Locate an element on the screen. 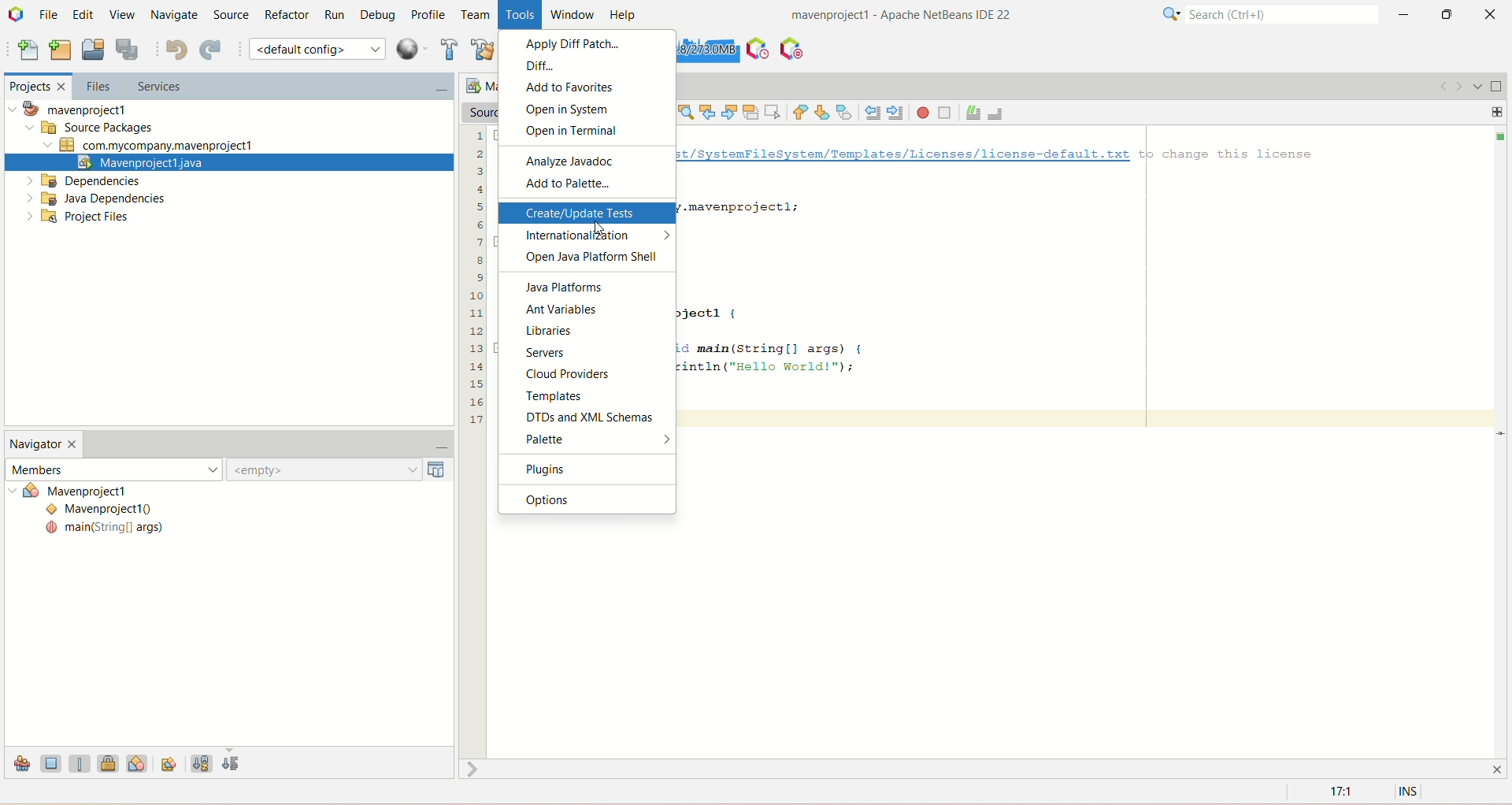 The width and height of the screenshot is (1512, 805). java platforms is located at coordinates (587, 288).